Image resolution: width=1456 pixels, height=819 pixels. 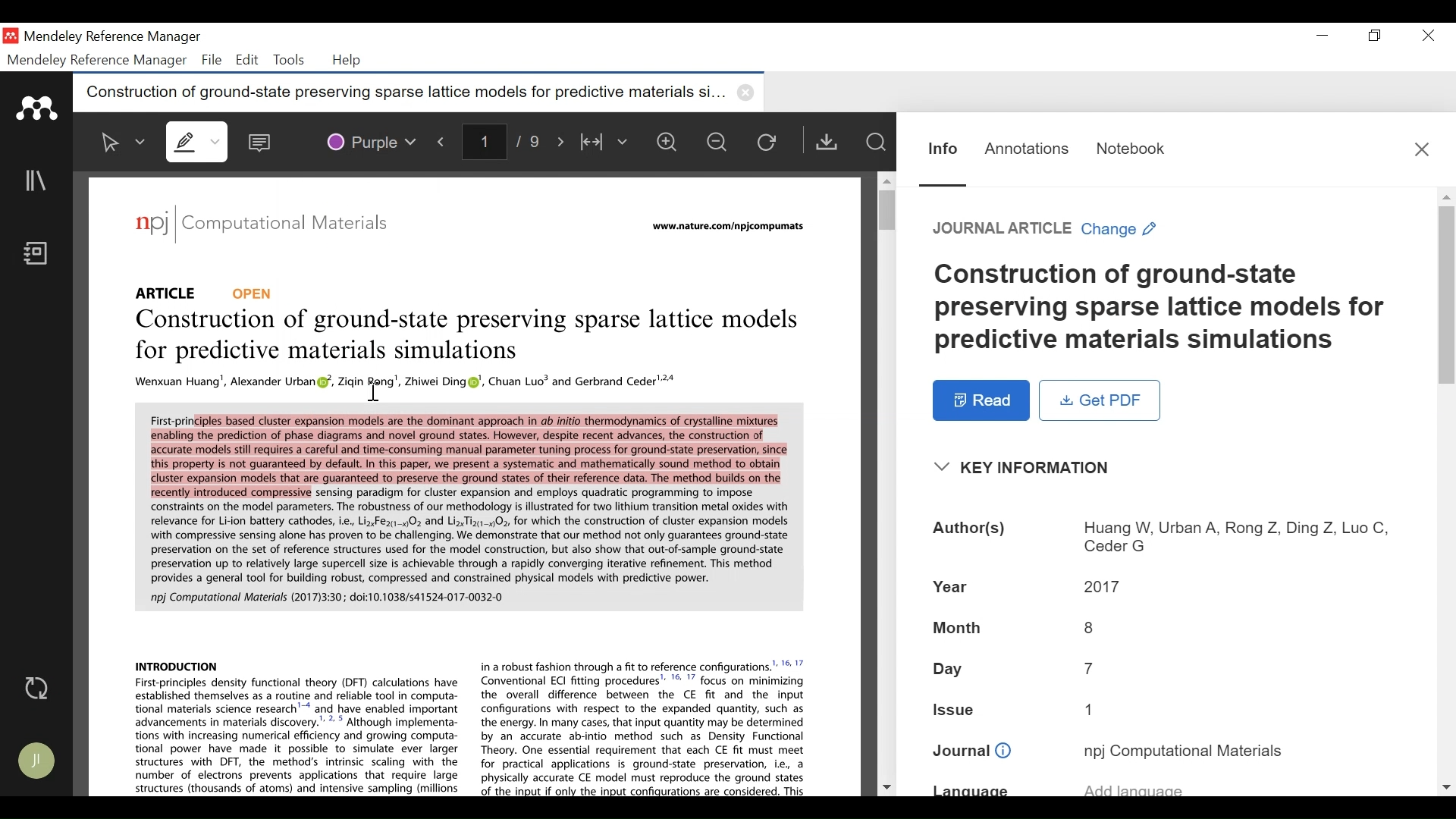 I want to click on Find In File, so click(x=876, y=142).